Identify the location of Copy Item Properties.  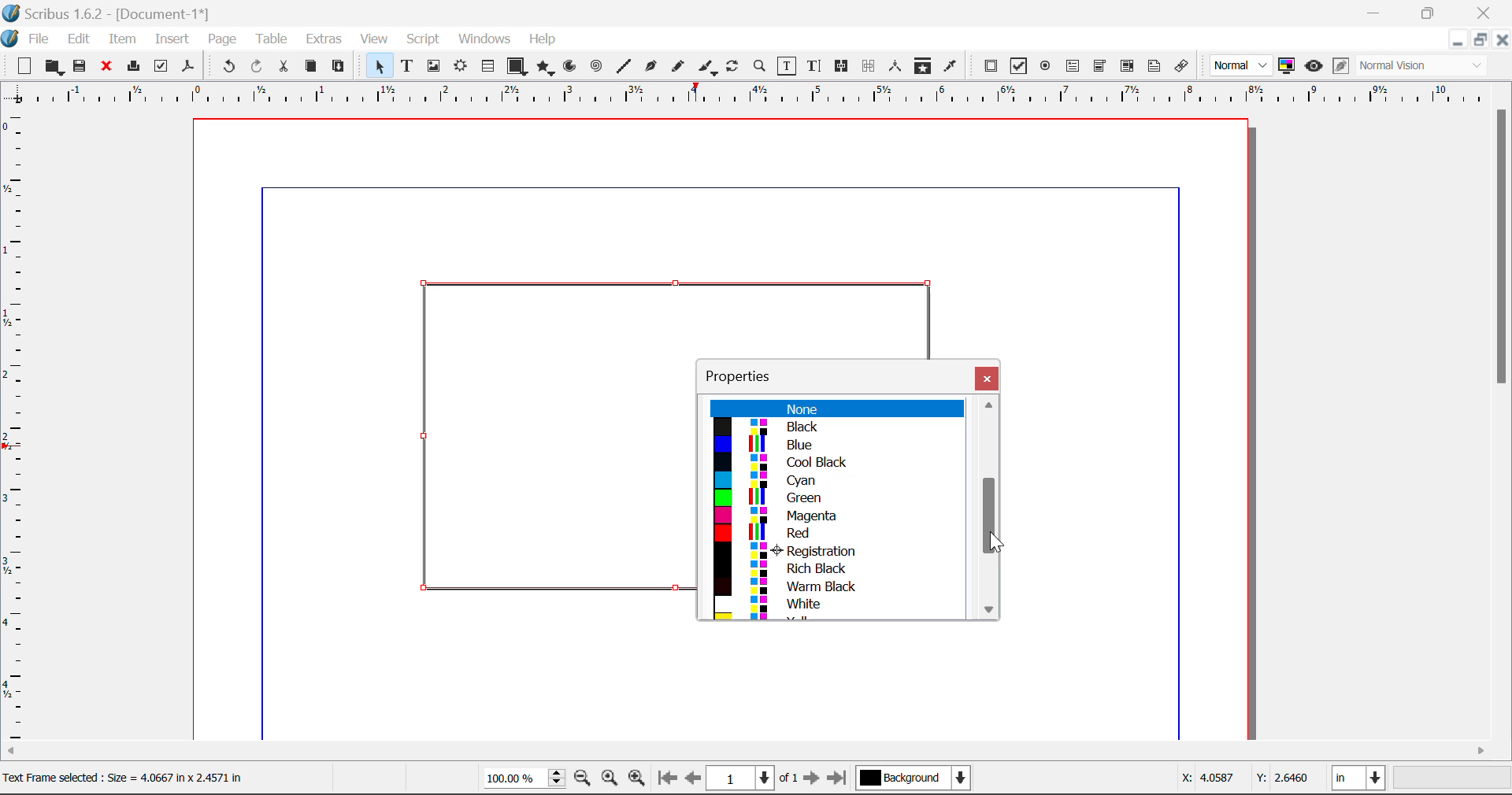
(922, 66).